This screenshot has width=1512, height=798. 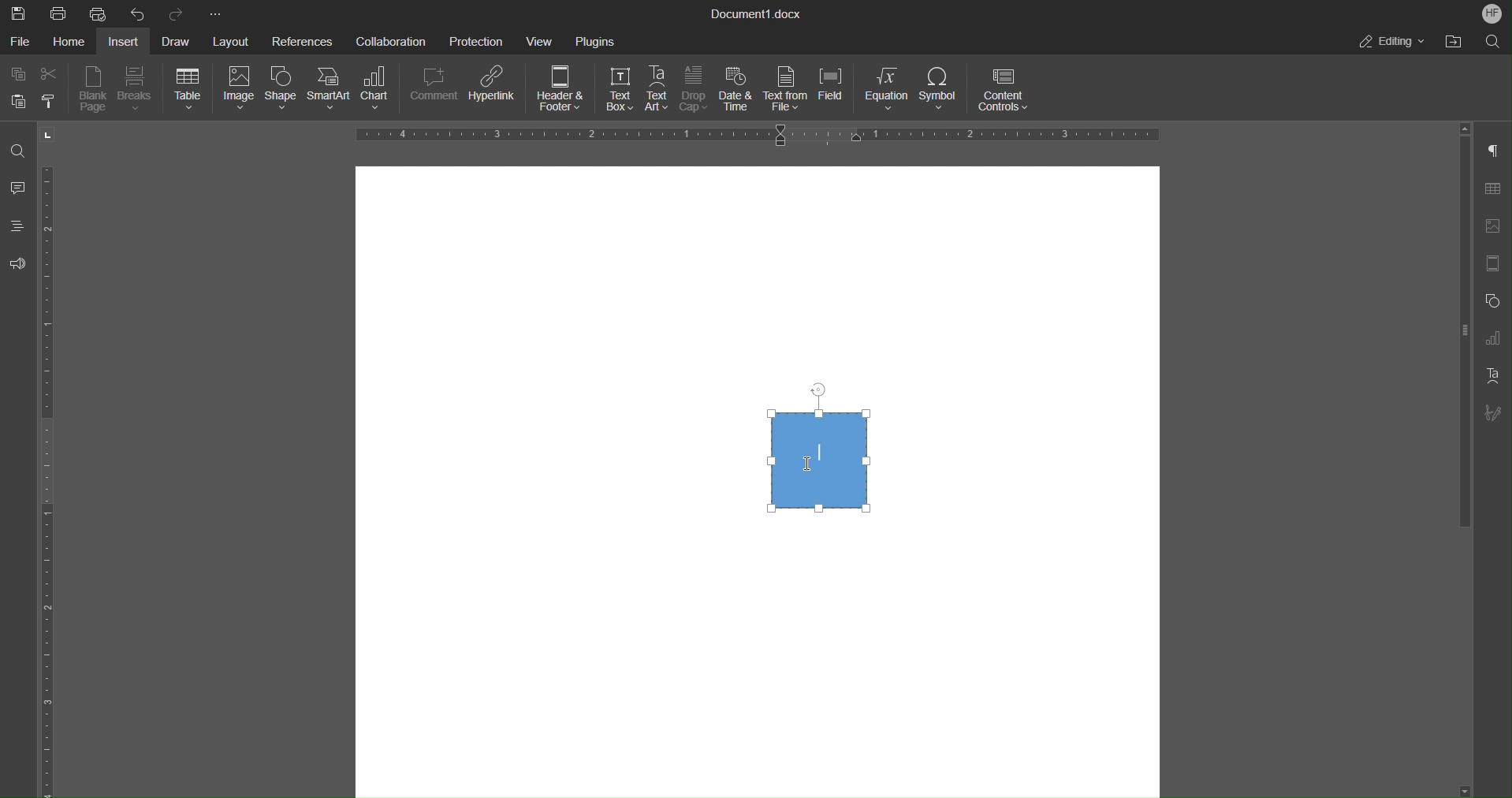 What do you see at coordinates (1499, 413) in the screenshot?
I see `Signature` at bounding box center [1499, 413].